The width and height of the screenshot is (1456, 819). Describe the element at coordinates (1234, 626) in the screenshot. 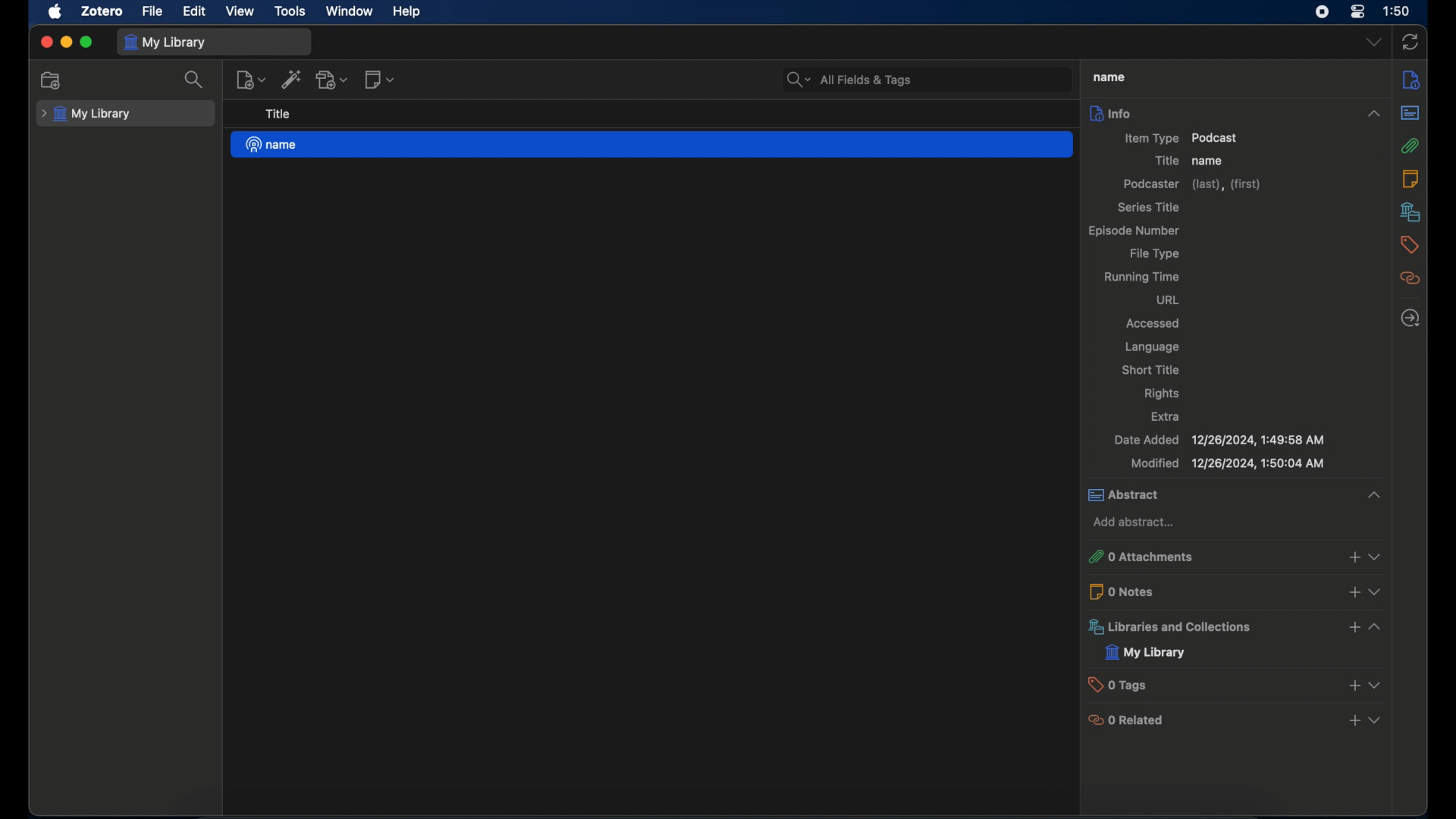

I see `libraries` at that location.